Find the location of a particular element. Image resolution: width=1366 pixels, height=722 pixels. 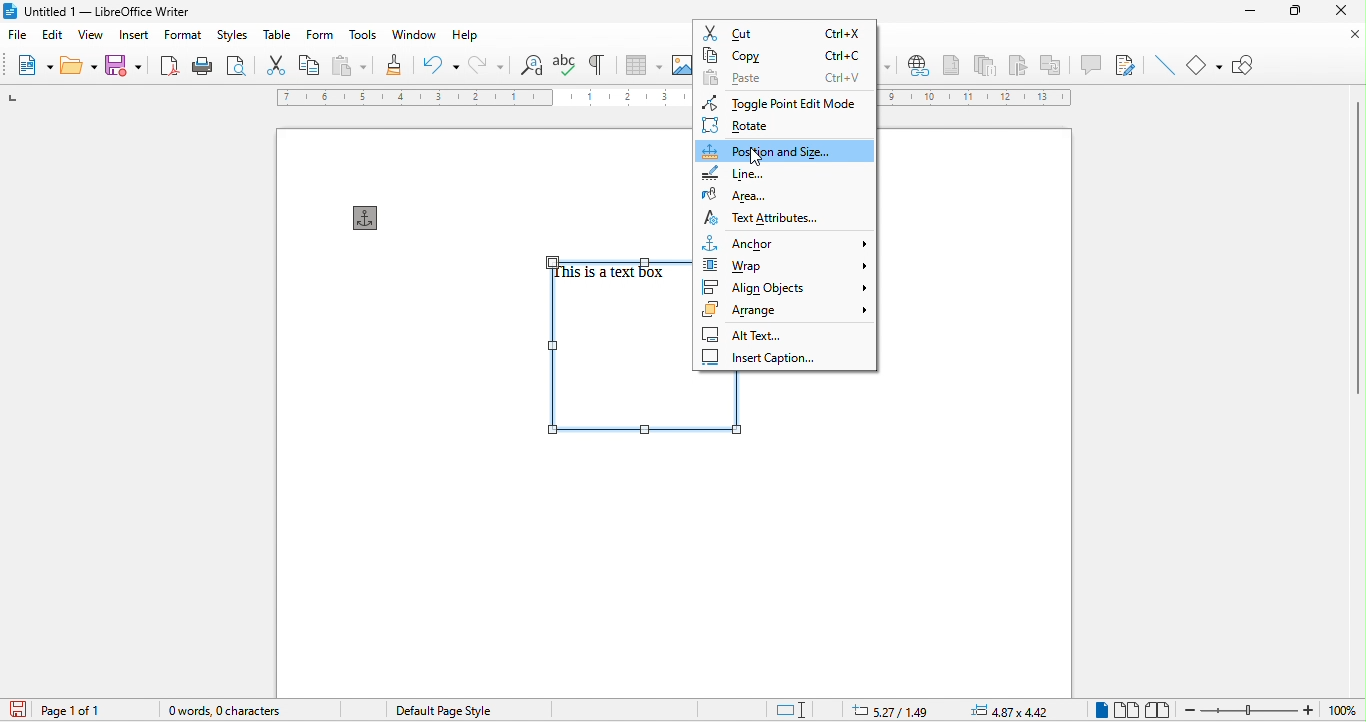

anchor is located at coordinates (370, 218).